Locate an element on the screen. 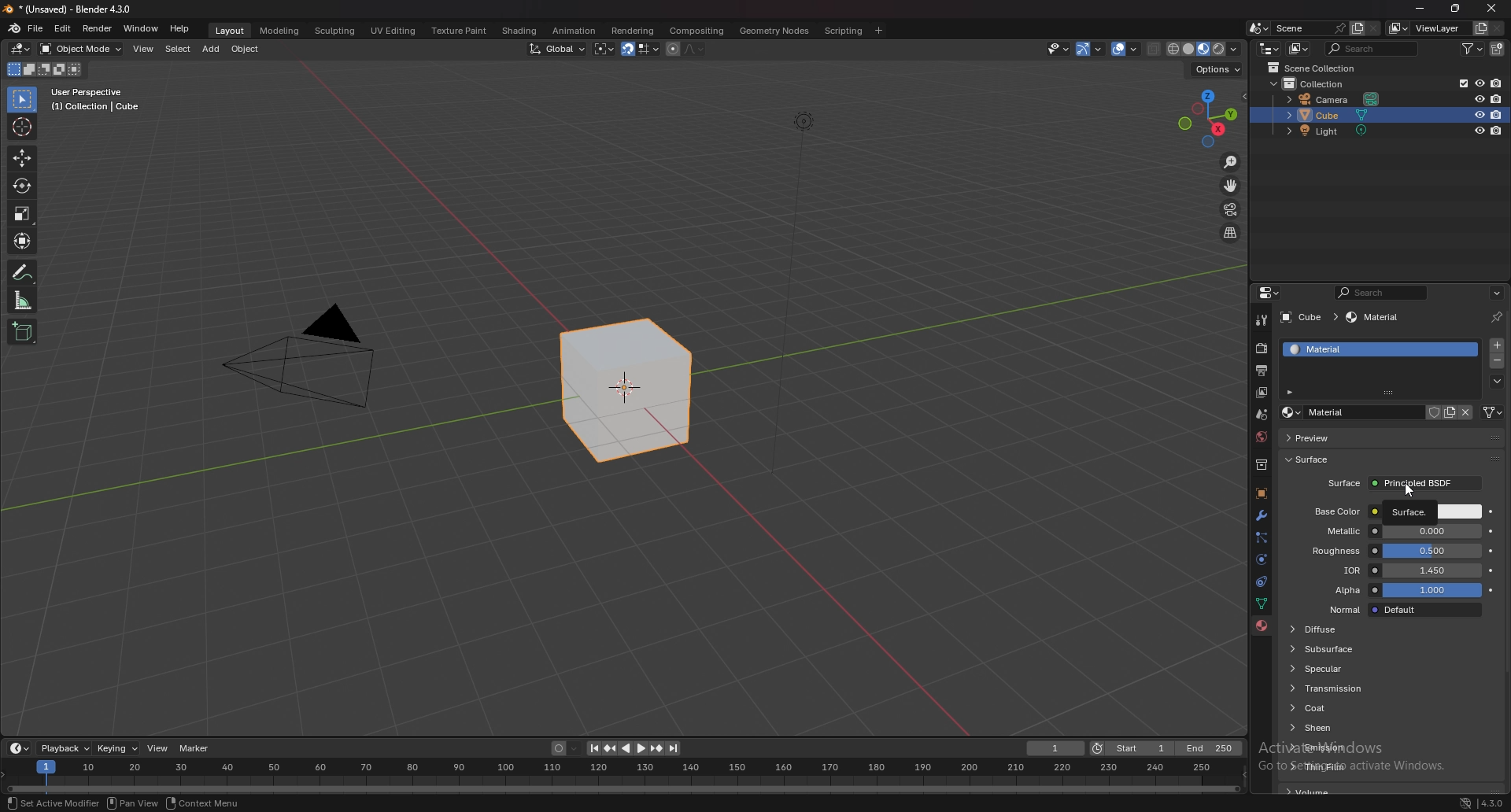 The height and width of the screenshot is (812, 1511). transform orientation is located at coordinates (557, 48).